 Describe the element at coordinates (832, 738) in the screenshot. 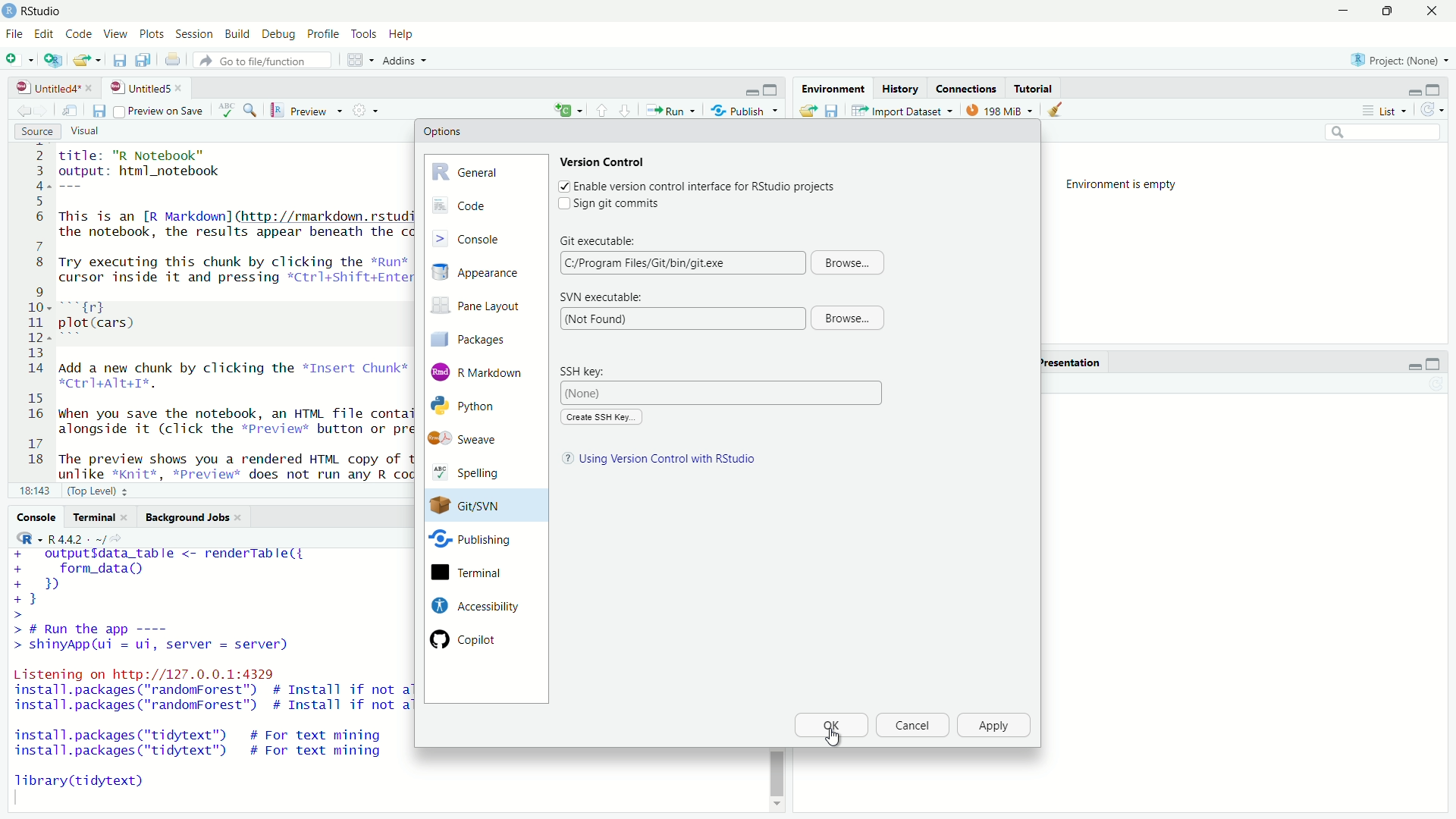

I see `cursor` at that location.